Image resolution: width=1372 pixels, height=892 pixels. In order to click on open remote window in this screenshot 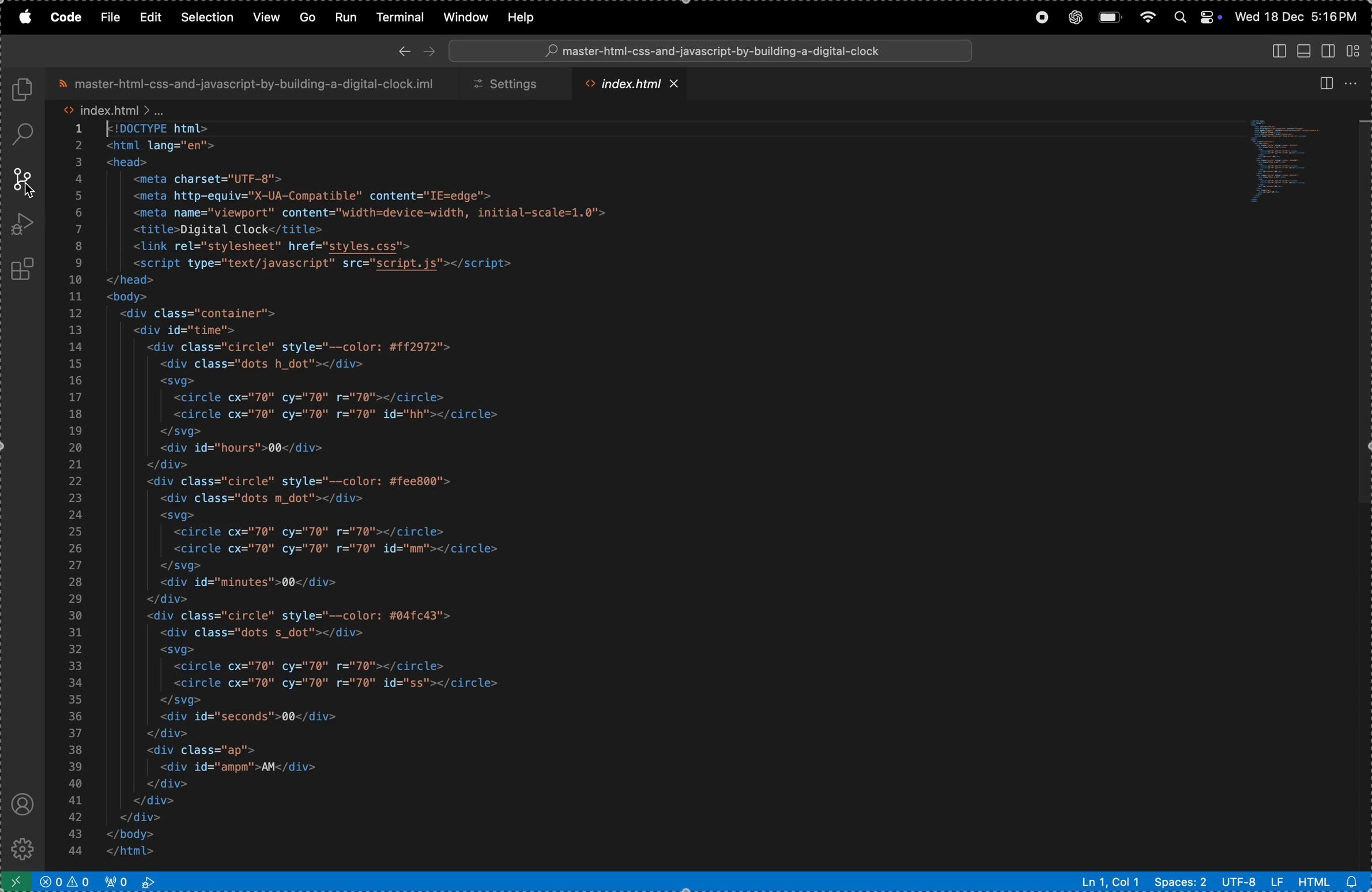, I will do `click(17, 879)`.